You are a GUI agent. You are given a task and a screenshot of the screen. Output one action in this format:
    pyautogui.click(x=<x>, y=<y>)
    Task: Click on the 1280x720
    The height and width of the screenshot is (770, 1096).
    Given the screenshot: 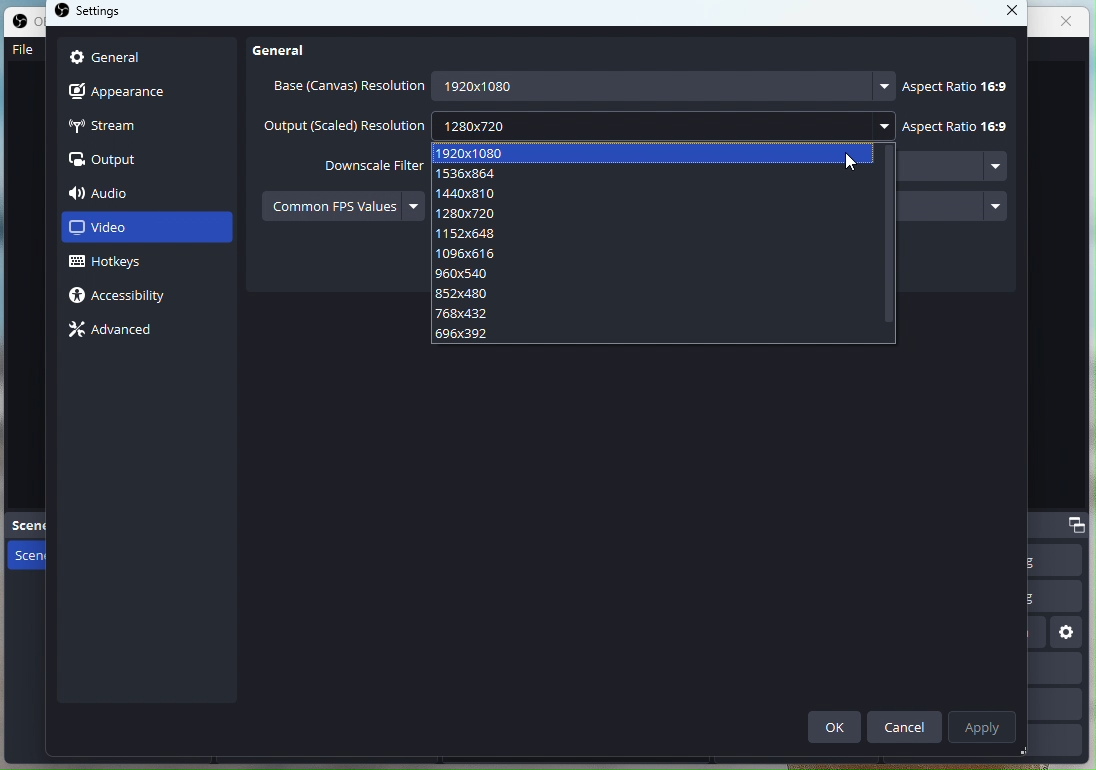 What is the action you would take?
    pyautogui.click(x=660, y=124)
    